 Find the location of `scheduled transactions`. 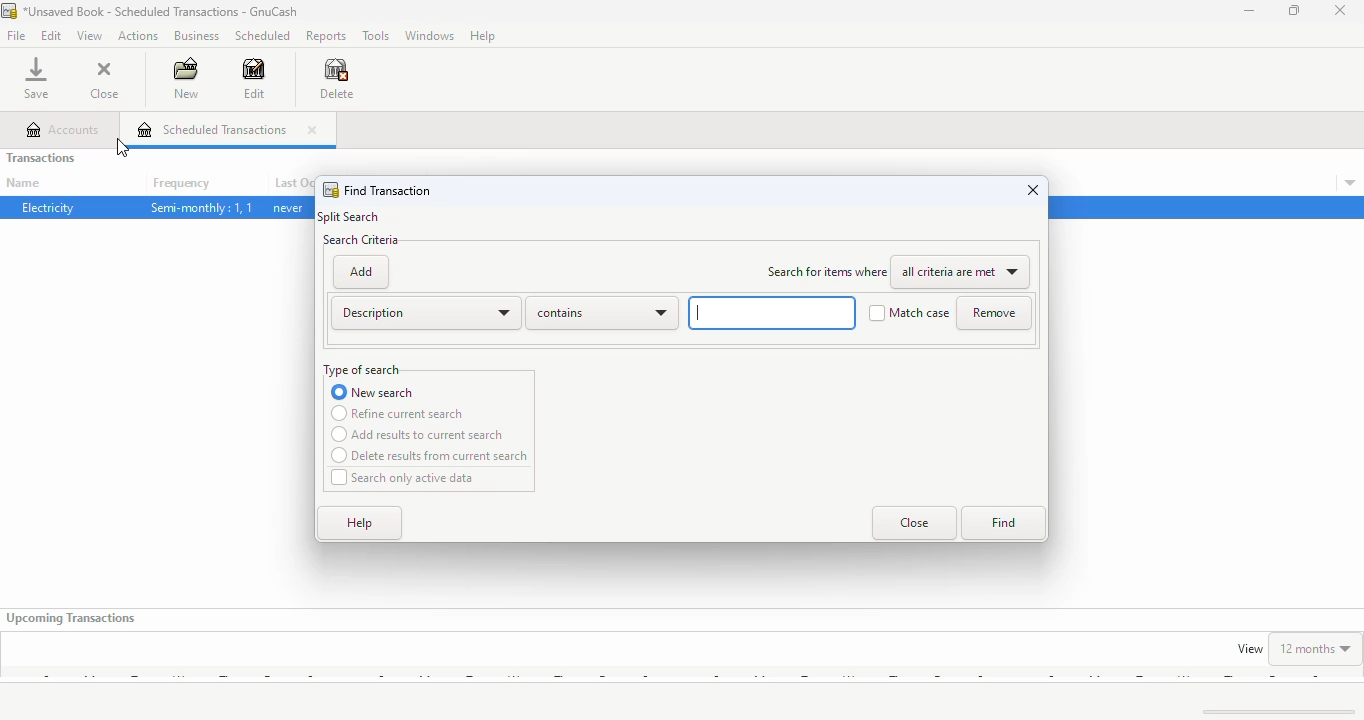

scheduled transactions is located at coordinates (212, 129).